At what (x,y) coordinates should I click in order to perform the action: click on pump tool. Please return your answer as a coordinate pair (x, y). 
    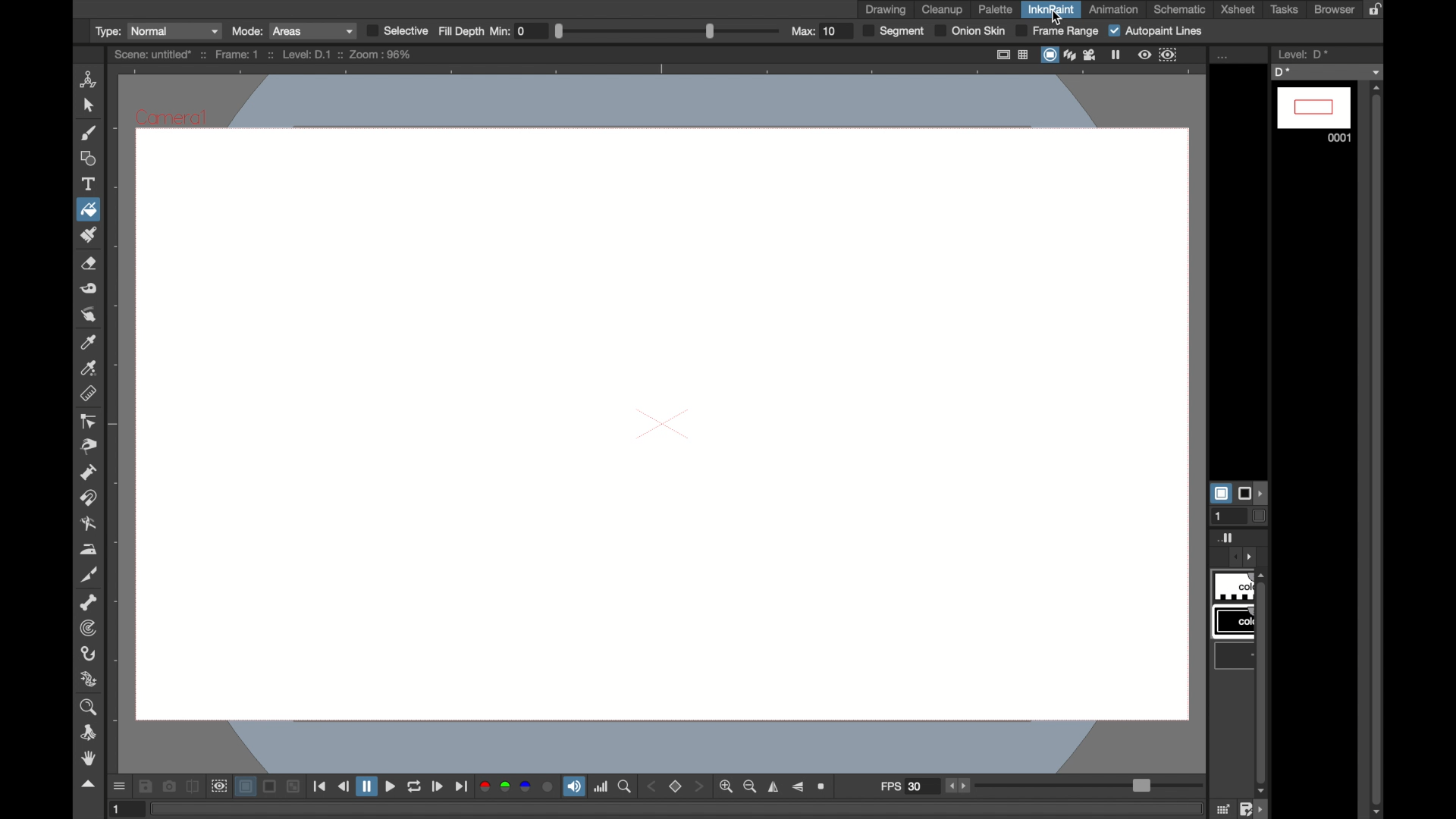
    Looking at the image, I should click on (87, 472).